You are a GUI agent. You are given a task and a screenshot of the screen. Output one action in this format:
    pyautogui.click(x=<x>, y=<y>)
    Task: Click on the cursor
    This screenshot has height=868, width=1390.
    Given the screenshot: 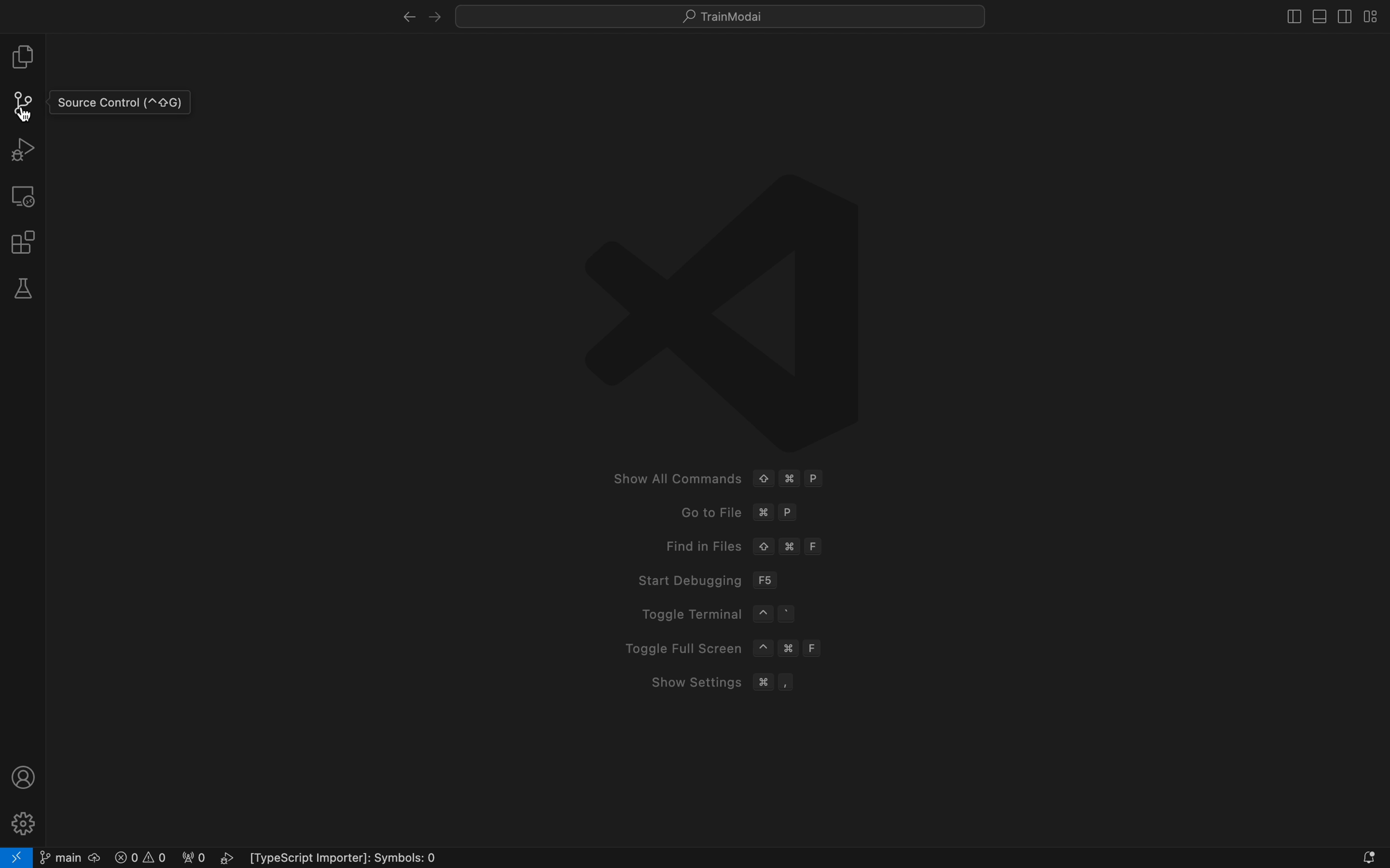 What is the action you would take?
    pyautogui.click(x=22, y=108)
    